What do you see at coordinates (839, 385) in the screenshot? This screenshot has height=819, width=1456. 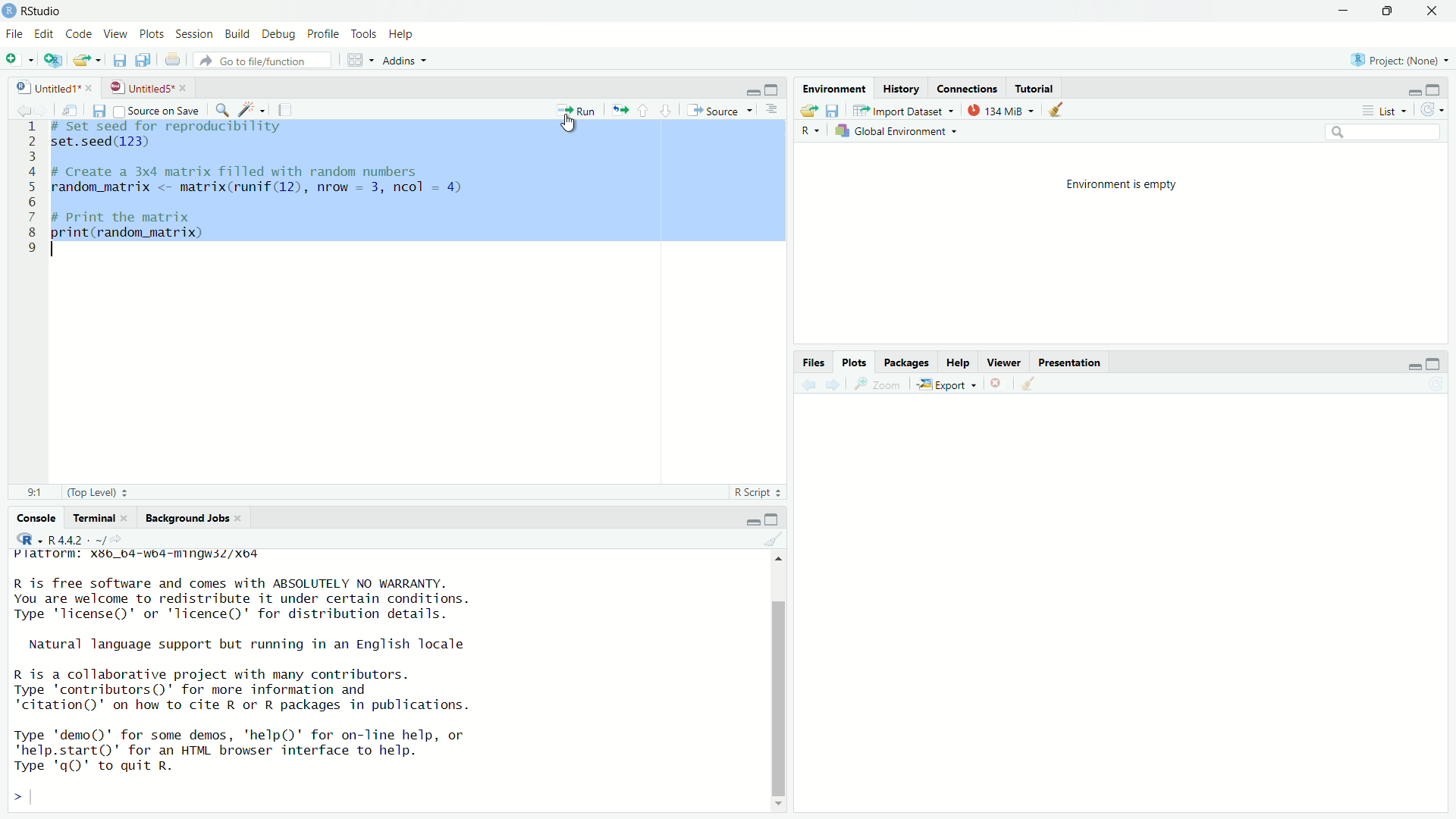 I see `next` at bounding box center [839, 385].